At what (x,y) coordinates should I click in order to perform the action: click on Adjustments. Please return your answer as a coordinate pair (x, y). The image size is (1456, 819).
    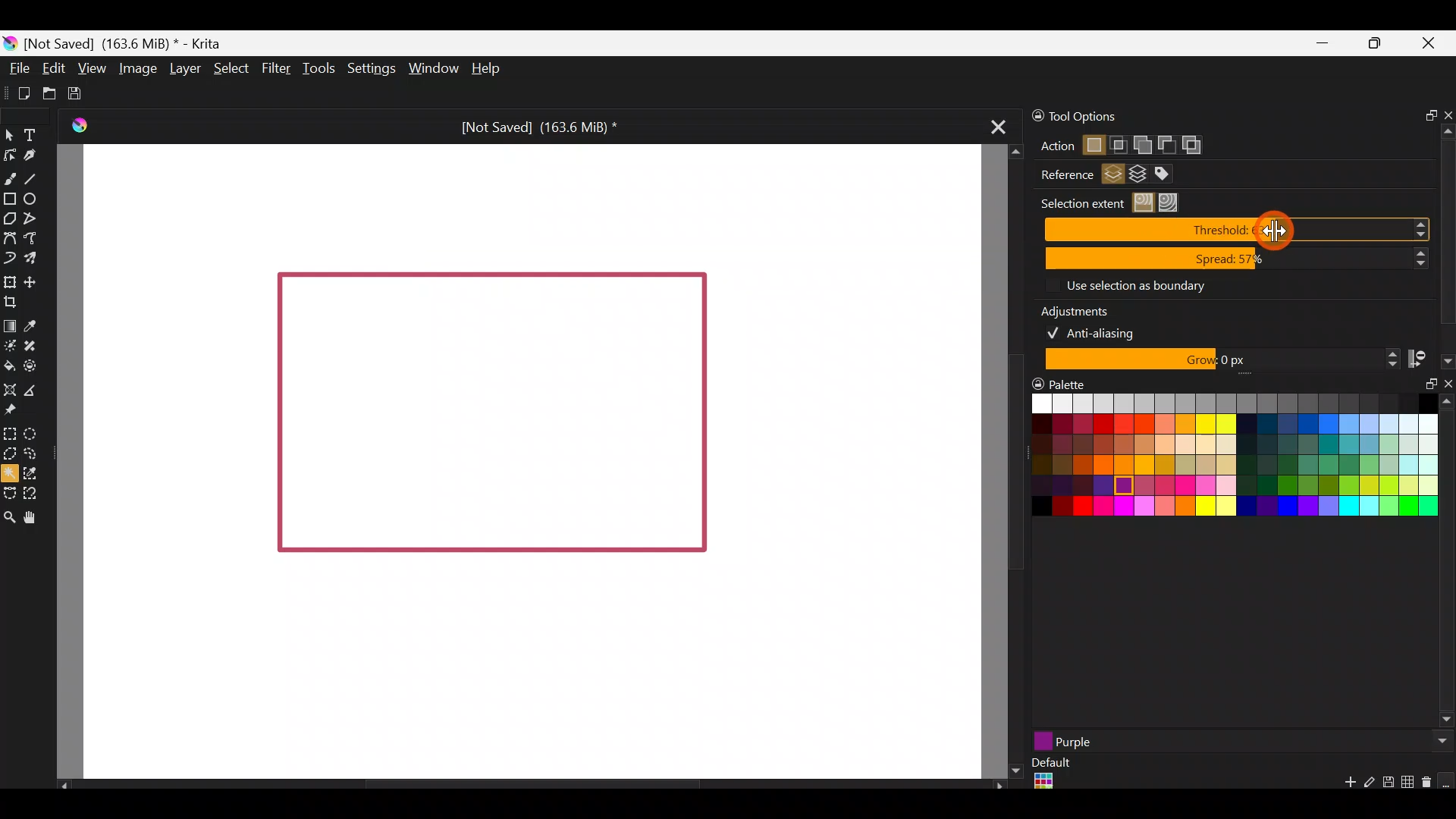
    Looking at the image, I should click on (1084, 309).